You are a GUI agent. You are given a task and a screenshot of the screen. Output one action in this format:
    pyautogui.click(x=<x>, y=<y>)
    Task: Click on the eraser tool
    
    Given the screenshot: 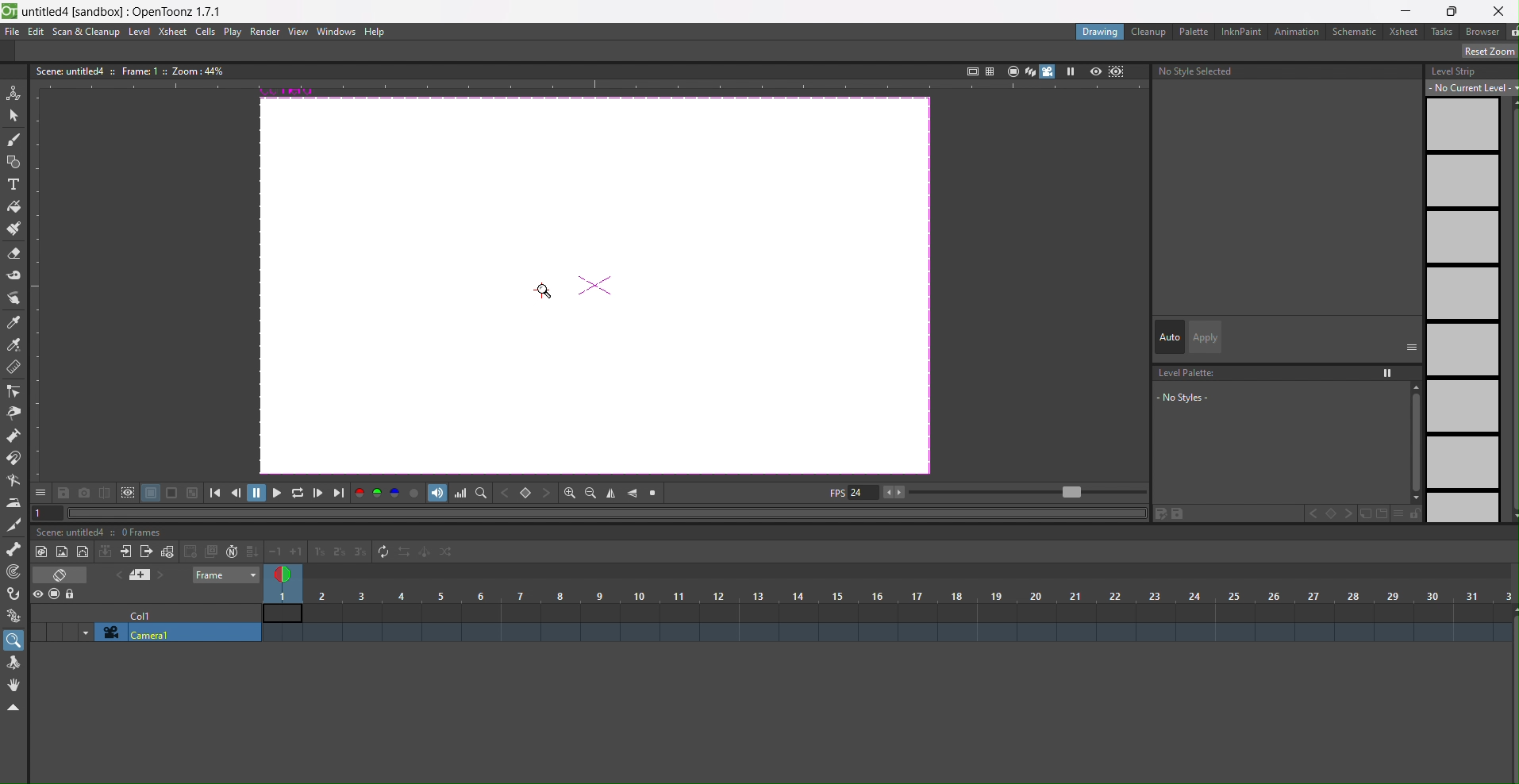 What is the action you would take?
    pyautogui.click(x=13, y=253)
    